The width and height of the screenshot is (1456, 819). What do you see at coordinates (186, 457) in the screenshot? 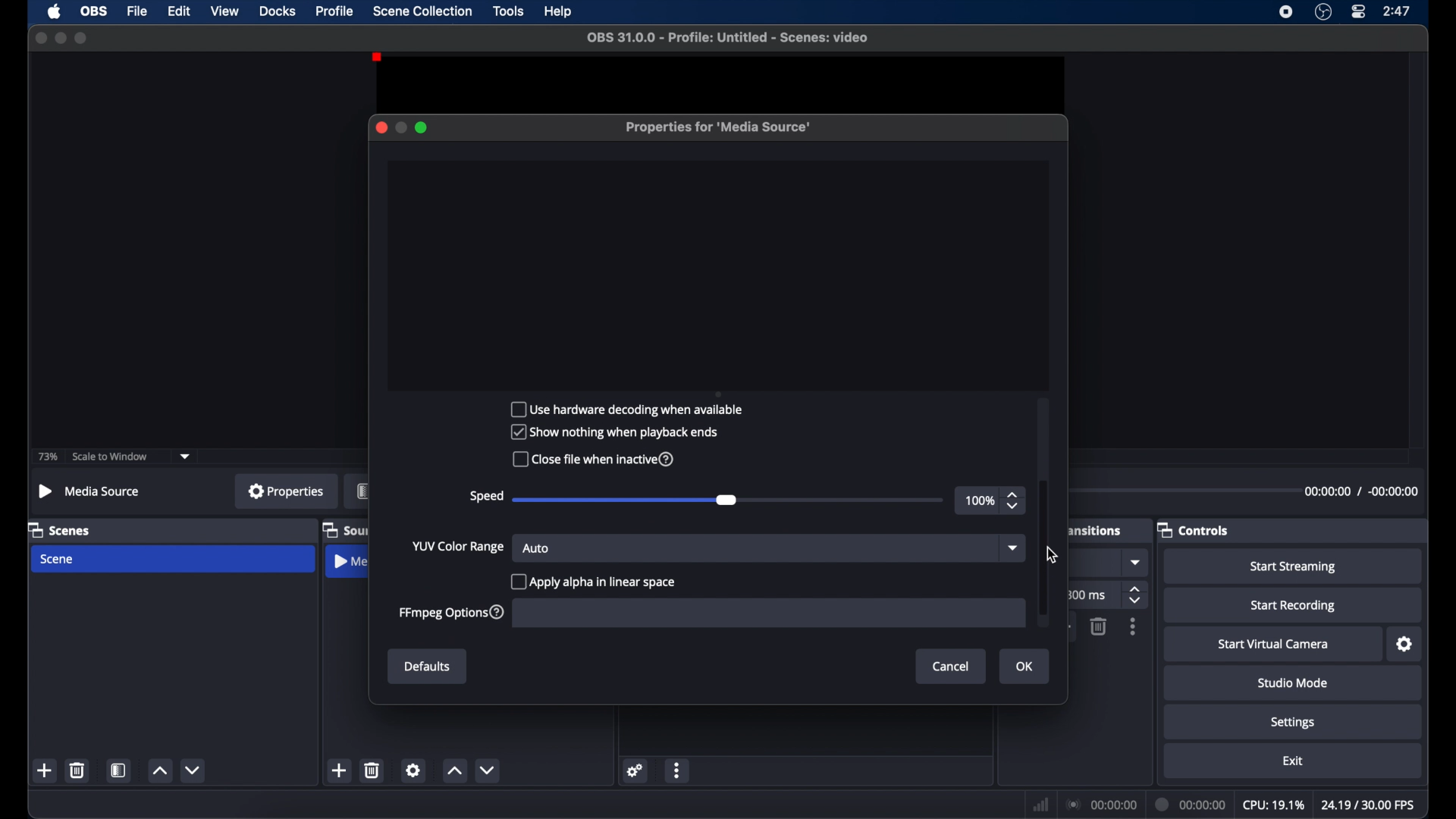
I see `dropdown` at bounding box center [186, 457].